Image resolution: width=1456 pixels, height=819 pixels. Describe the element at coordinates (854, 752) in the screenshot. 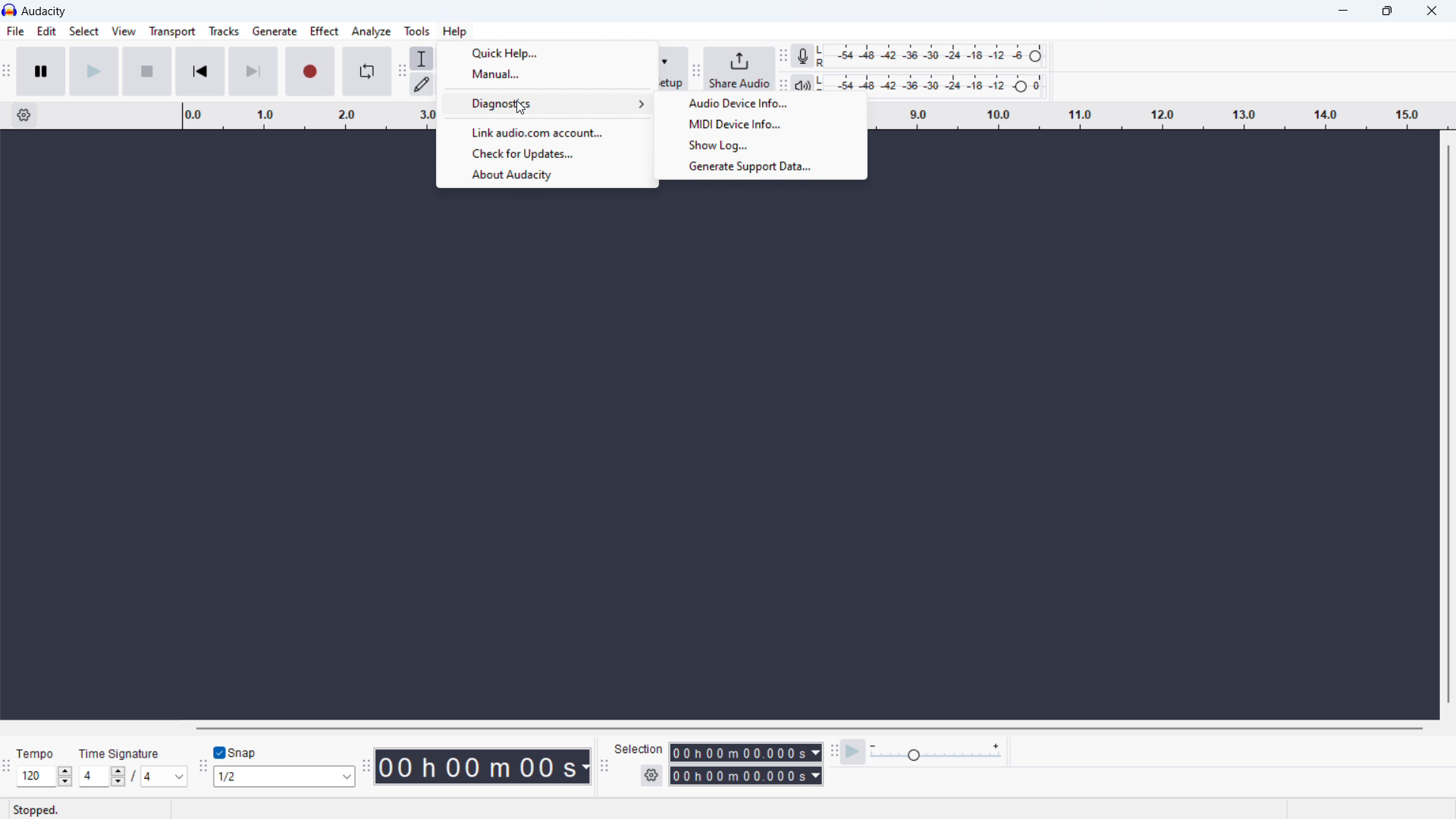

I see `play at speed` at that location.